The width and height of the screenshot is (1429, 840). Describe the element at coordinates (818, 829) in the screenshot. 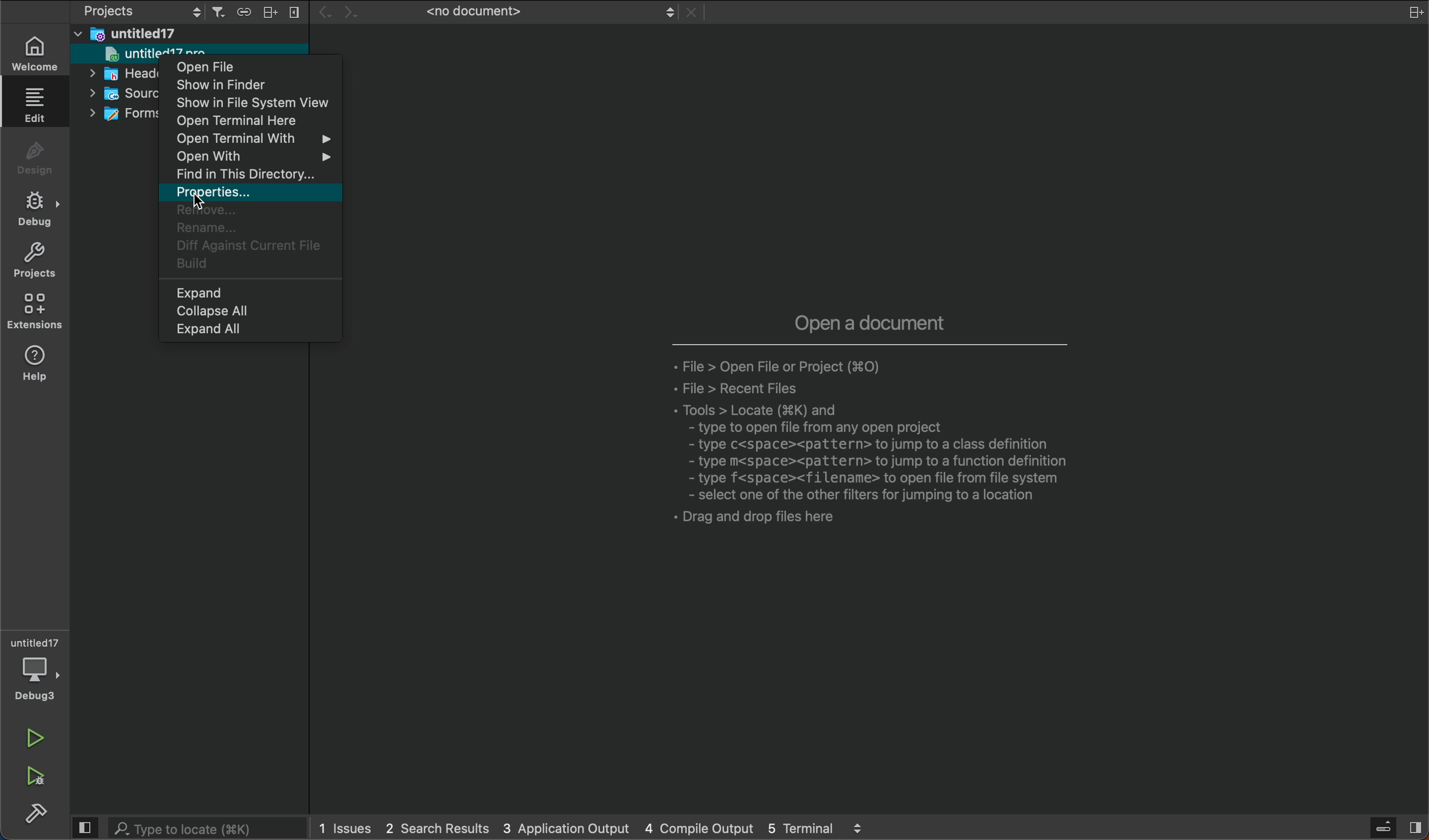

I see `5 terminal` at that location.